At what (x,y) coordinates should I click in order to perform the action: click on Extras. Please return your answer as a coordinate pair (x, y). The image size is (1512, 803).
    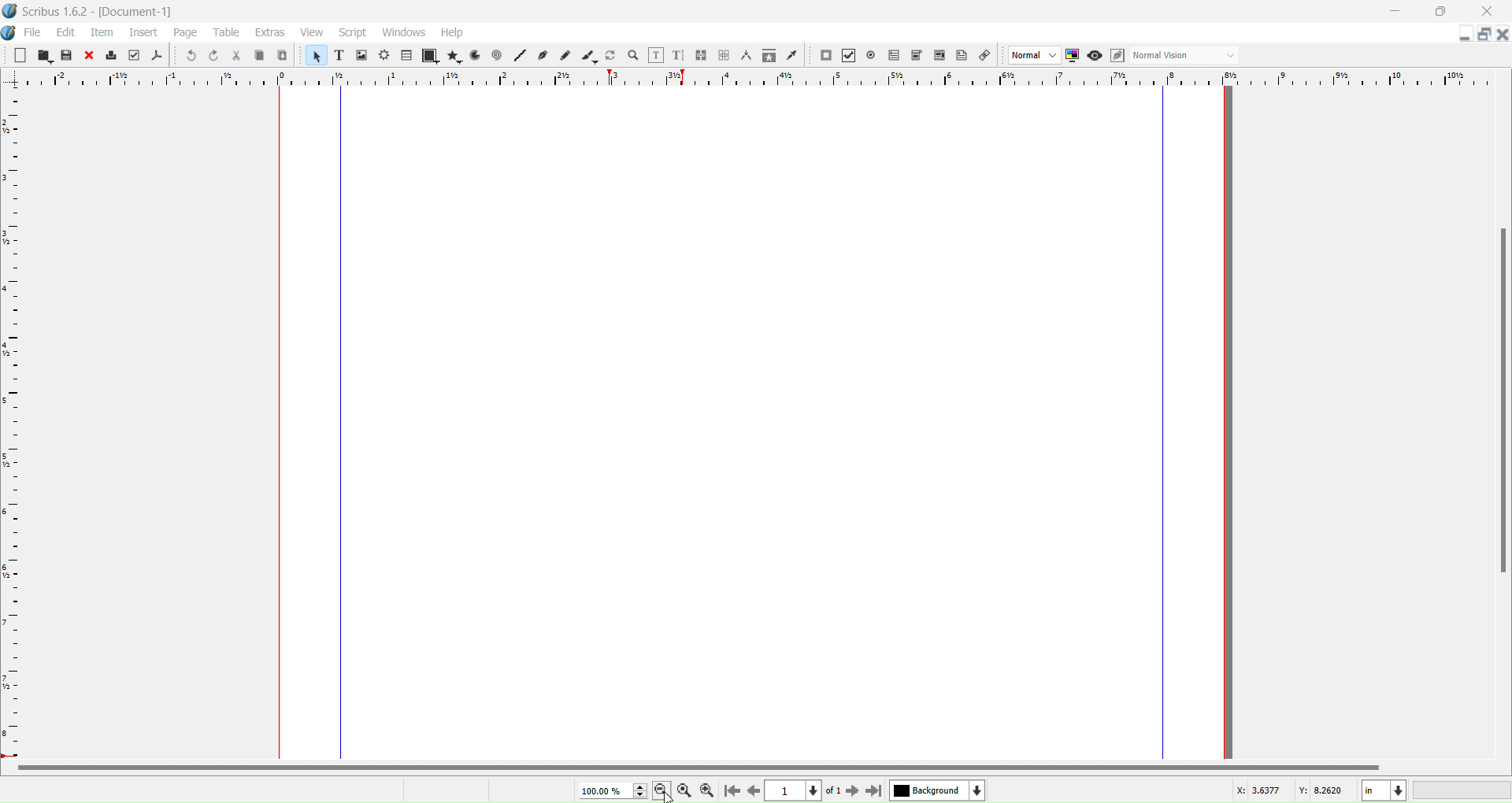
    Looking at the image, I should click on (268, 33).